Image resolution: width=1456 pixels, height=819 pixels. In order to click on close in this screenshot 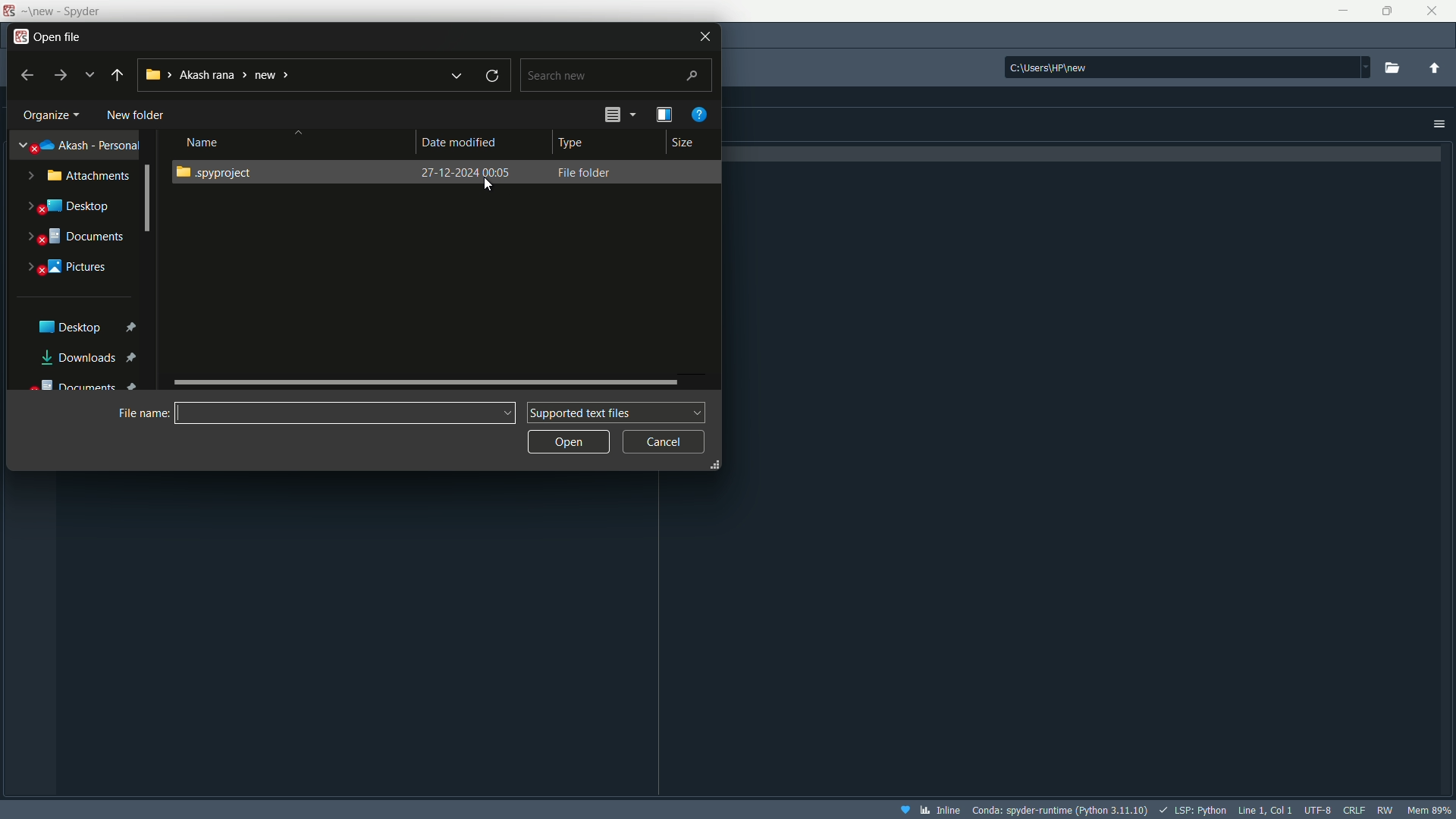, I will do `click(1432, 11)`.